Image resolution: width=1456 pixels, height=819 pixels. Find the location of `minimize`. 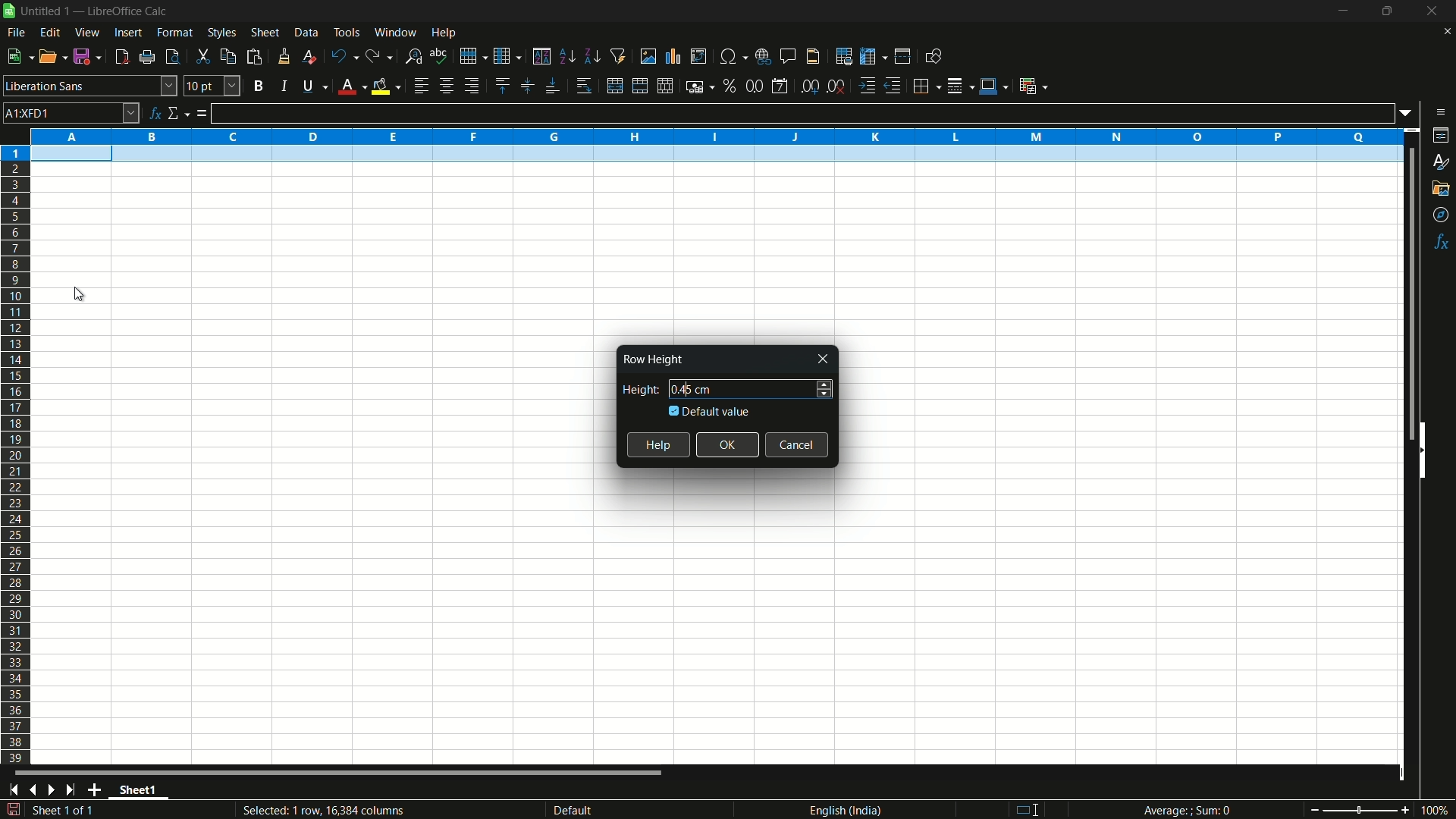

minimize is located at coordinates (1343, 11).